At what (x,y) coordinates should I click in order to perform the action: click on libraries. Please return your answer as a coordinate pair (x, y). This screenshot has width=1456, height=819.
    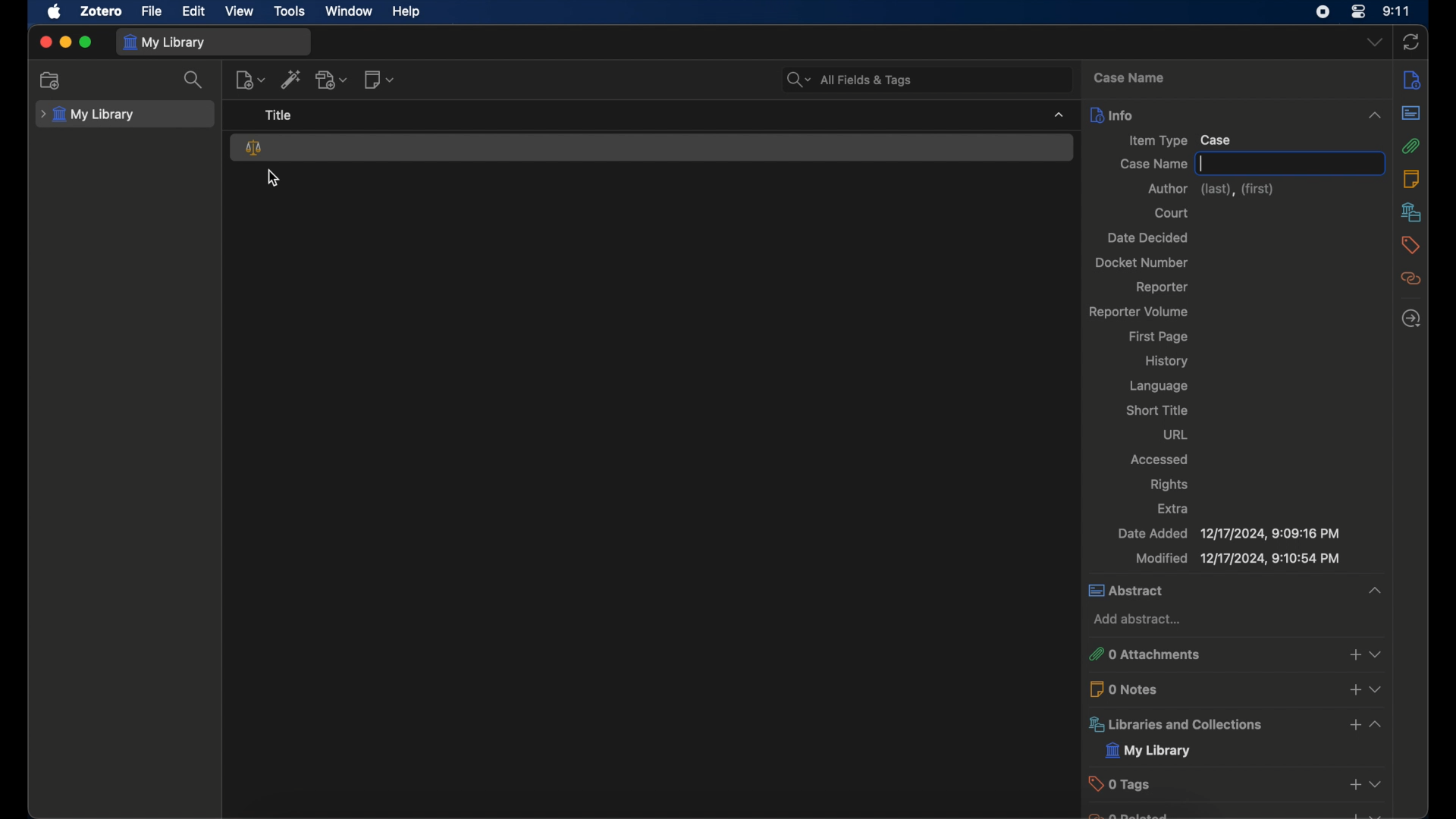
    Looking at the image, I should click on (1411, 212).